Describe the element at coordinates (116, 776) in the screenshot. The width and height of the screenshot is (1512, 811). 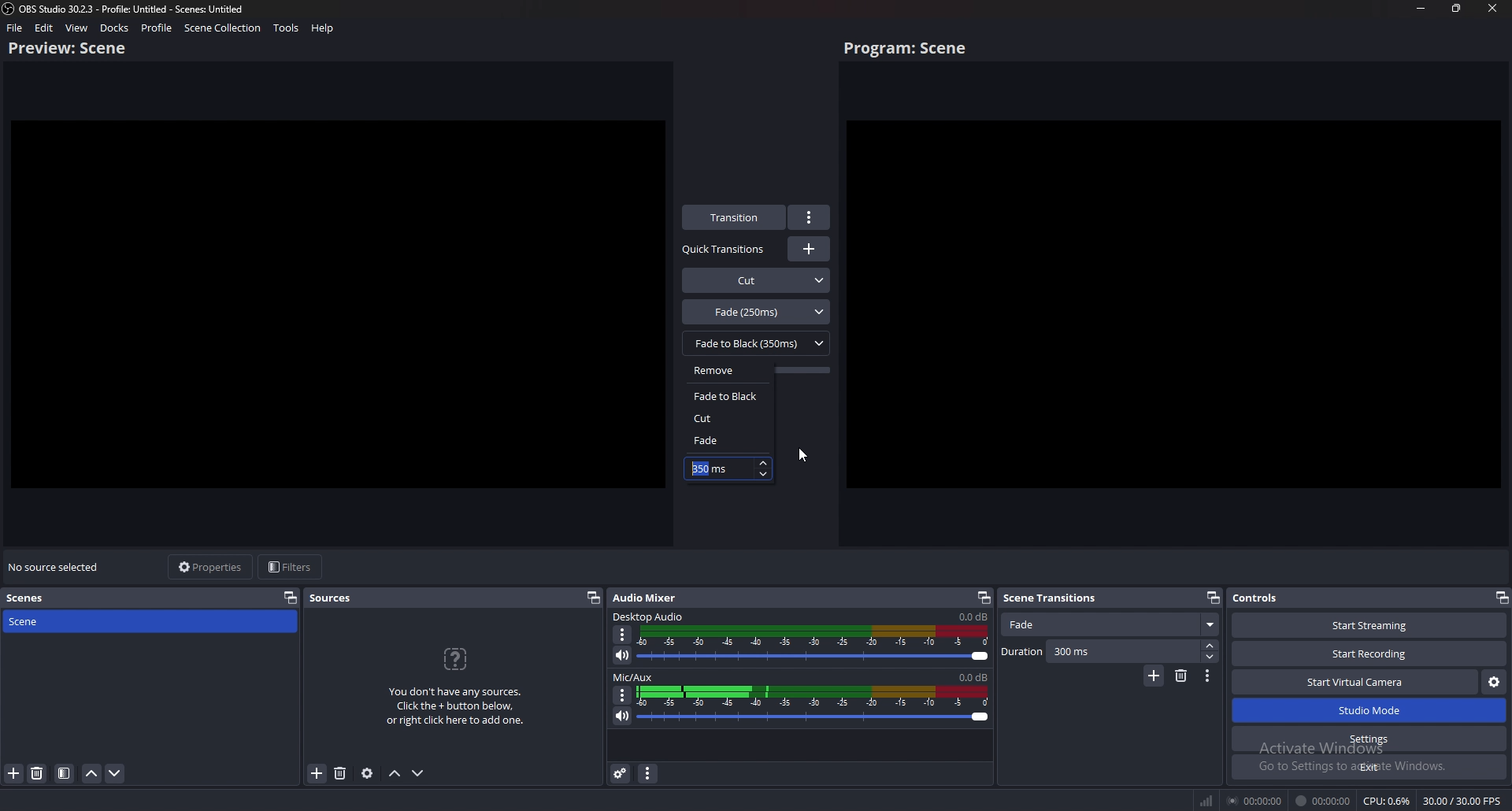
I see `move scene down` at that location.